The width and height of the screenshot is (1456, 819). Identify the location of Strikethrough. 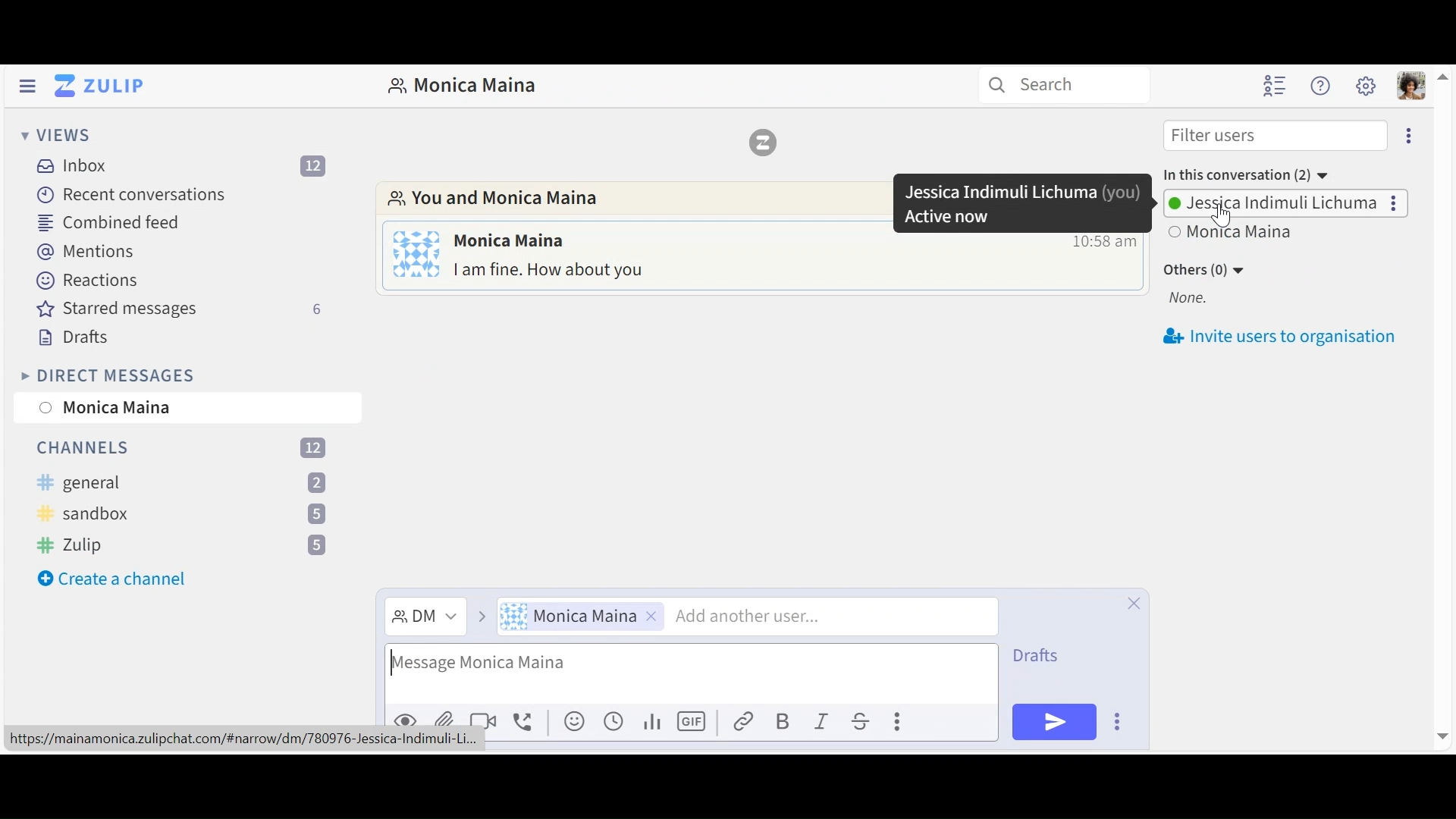
(861, 720).